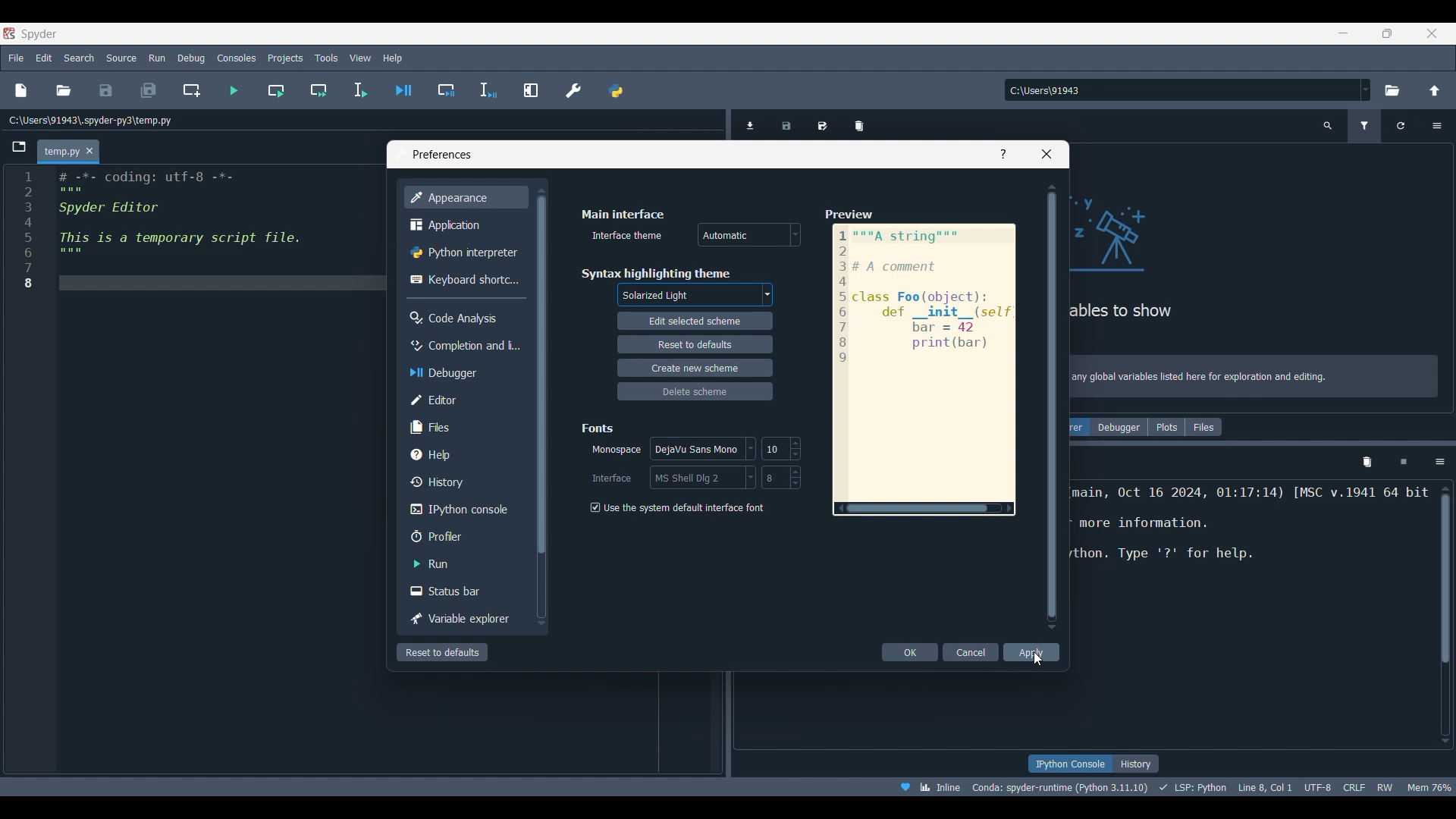 This screenshot has width=1456, height=819. I want to click on History, so click(464, 482).